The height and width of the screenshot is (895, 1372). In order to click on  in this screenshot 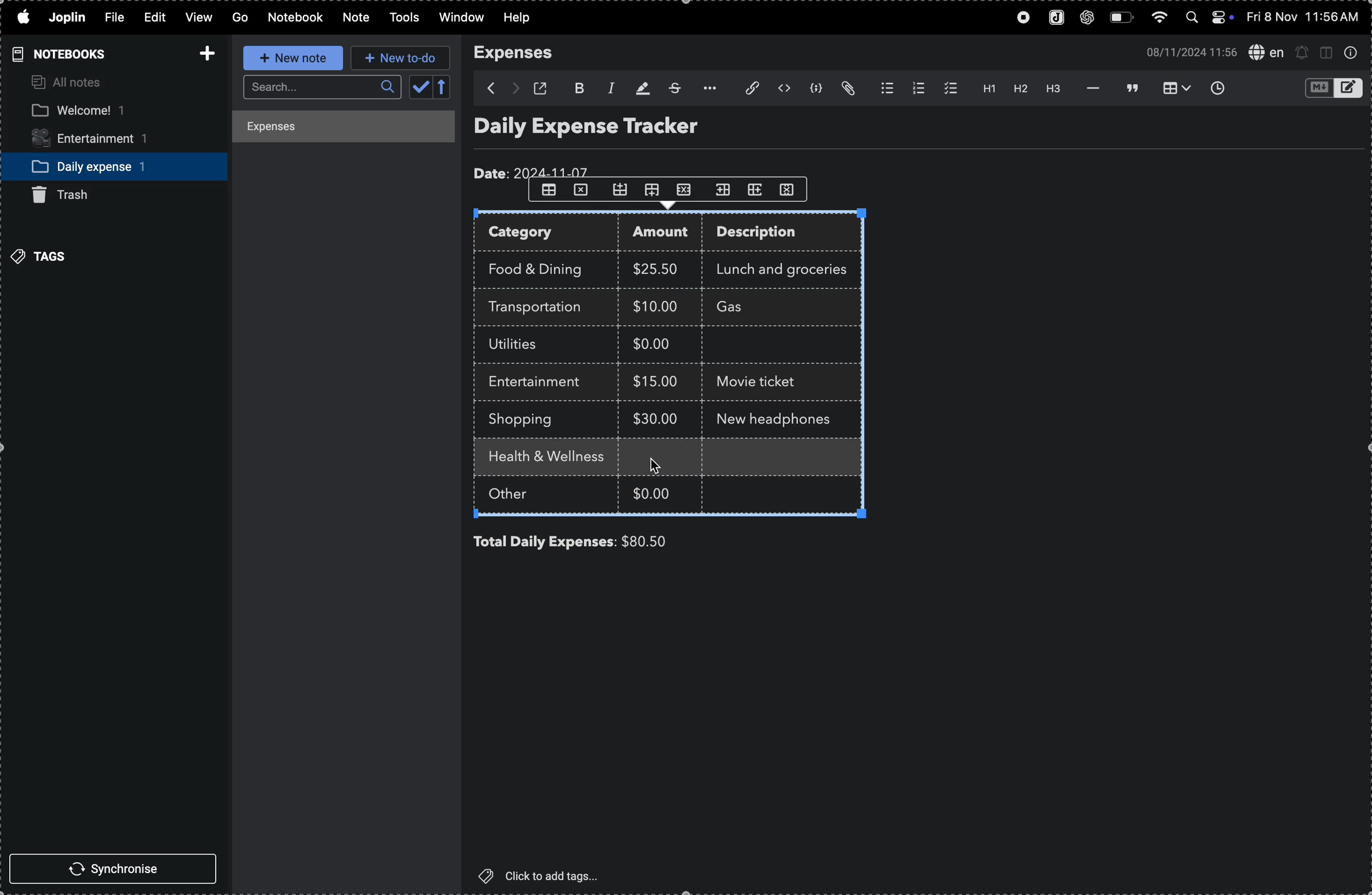, I will do `click(621, 189)`.